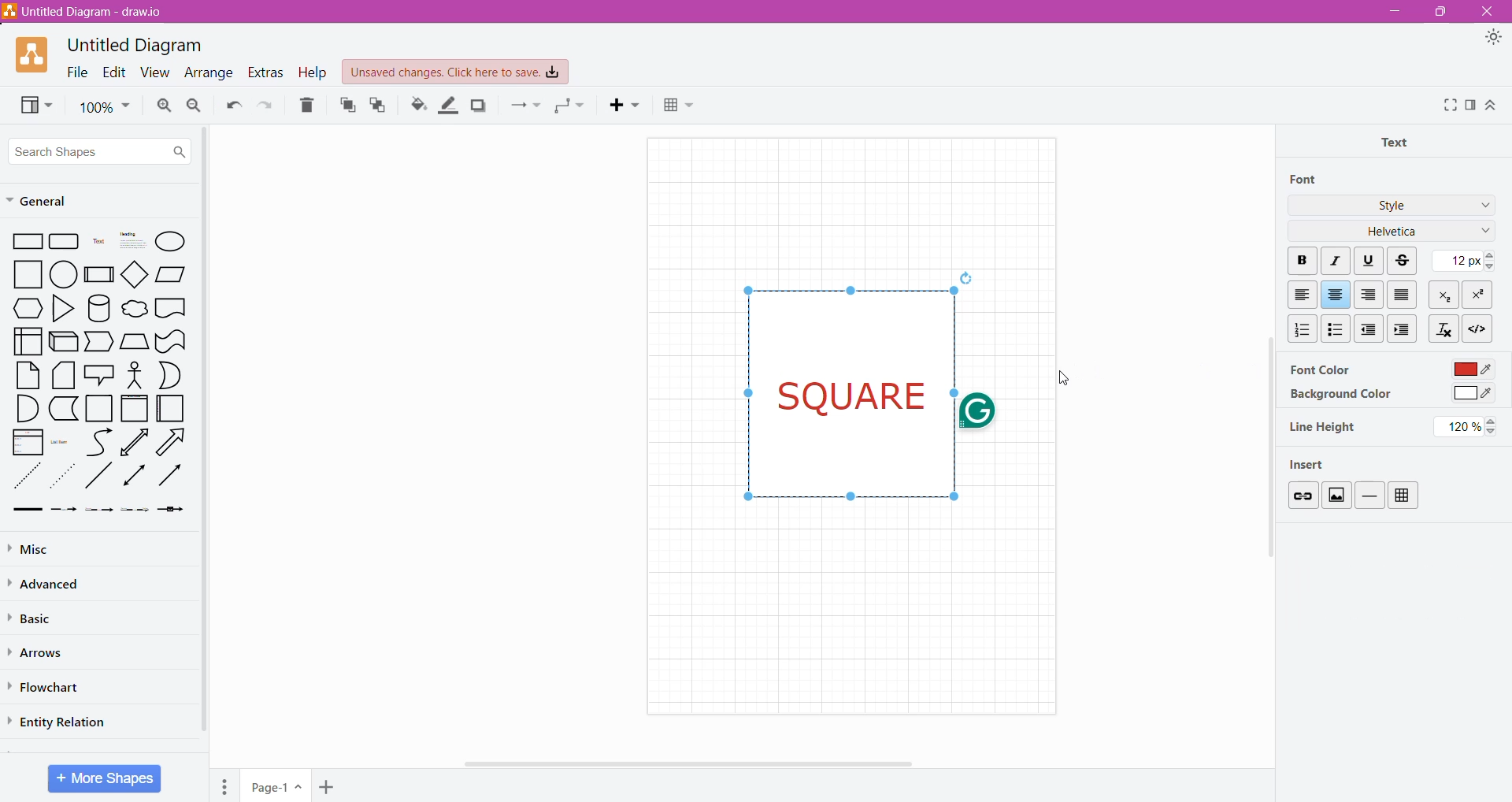  I want to click on Line Color, so click(447, 106).